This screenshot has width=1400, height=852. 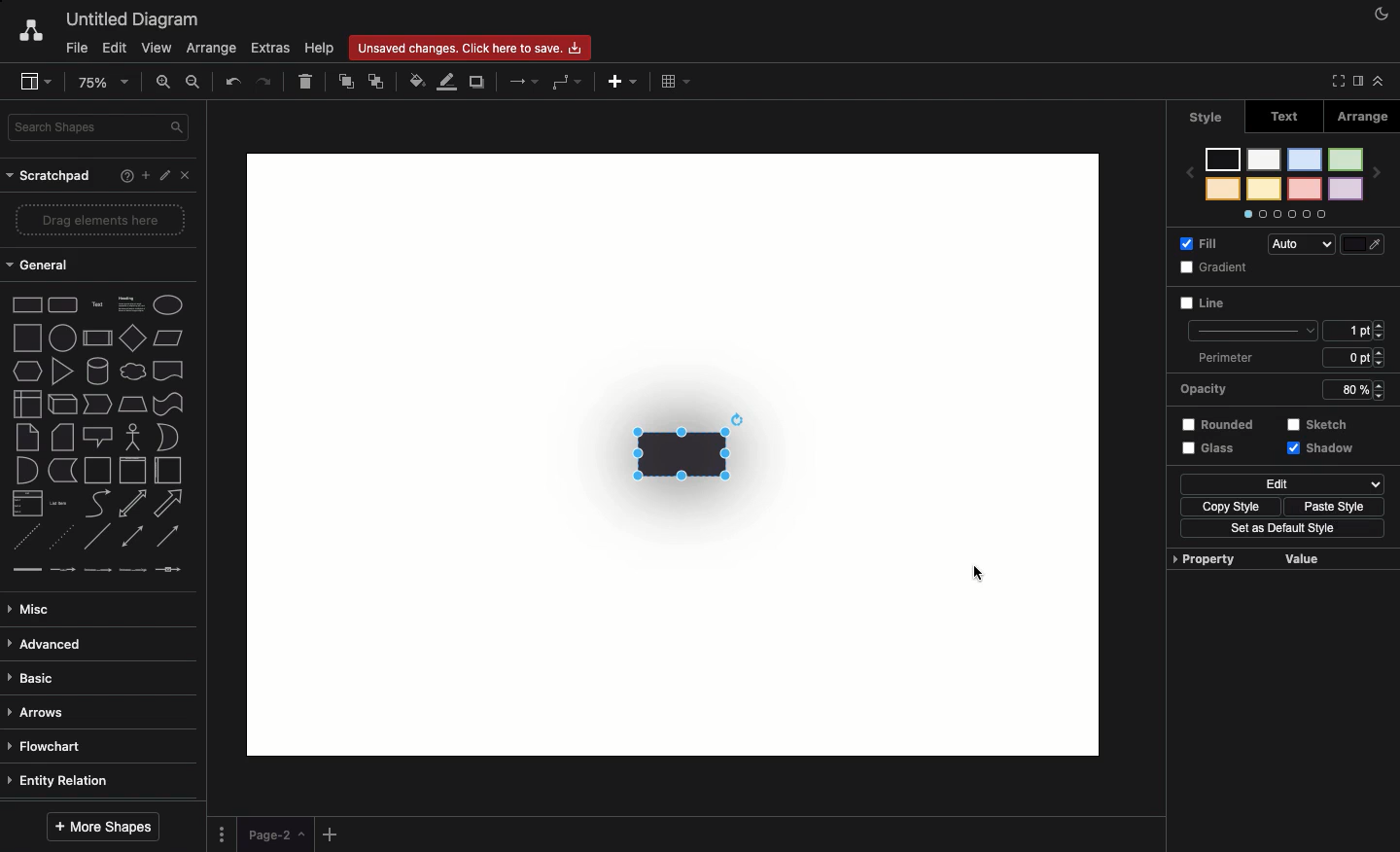 I want to click on File, so click(x=74, y=48).